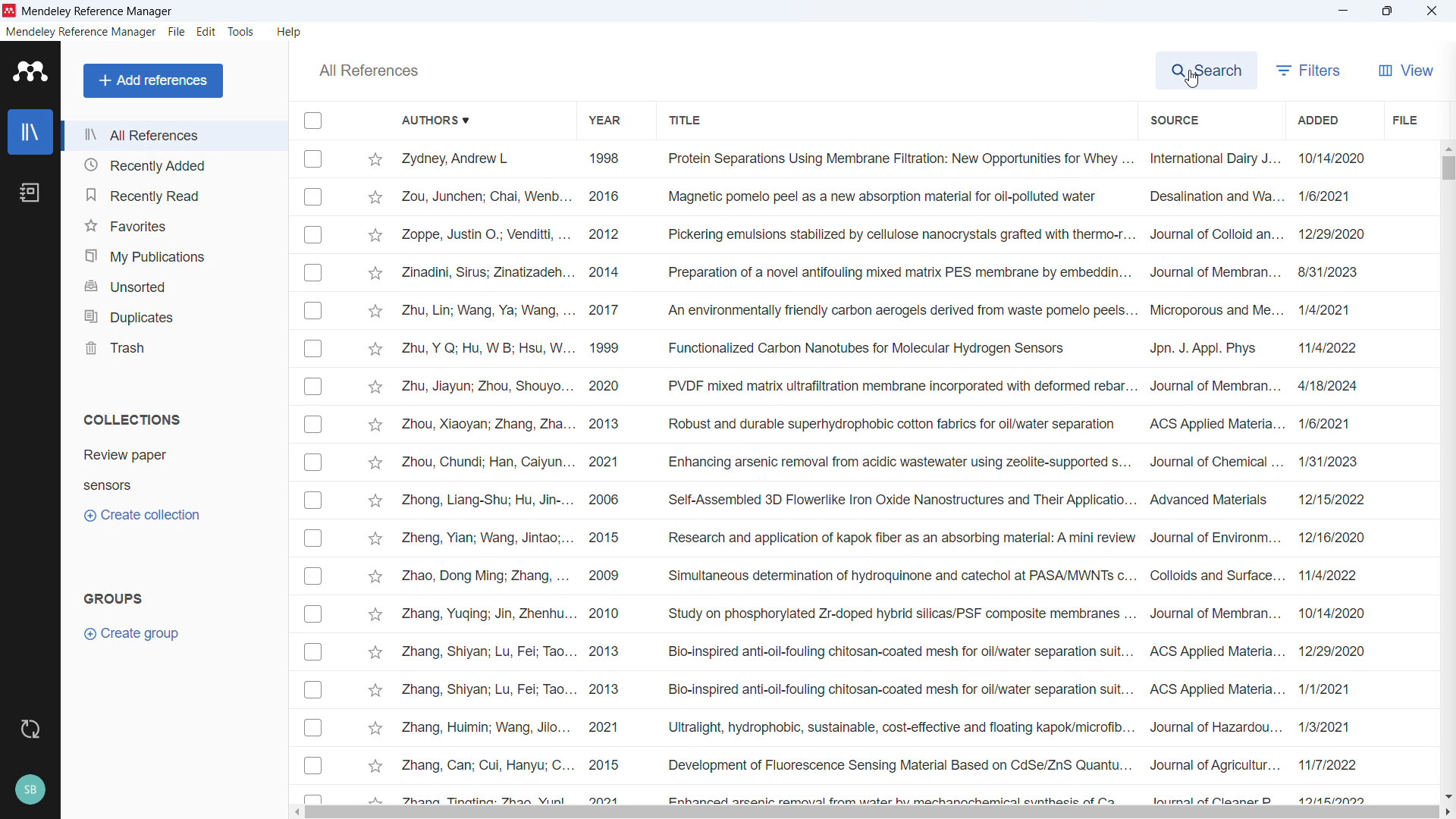 The width and height of the screenshot is (1456, 819). What do you see at coordinates (80, 32) in the screenshot?
I see `mendeley reference manager` at bounding box center [80, 32].